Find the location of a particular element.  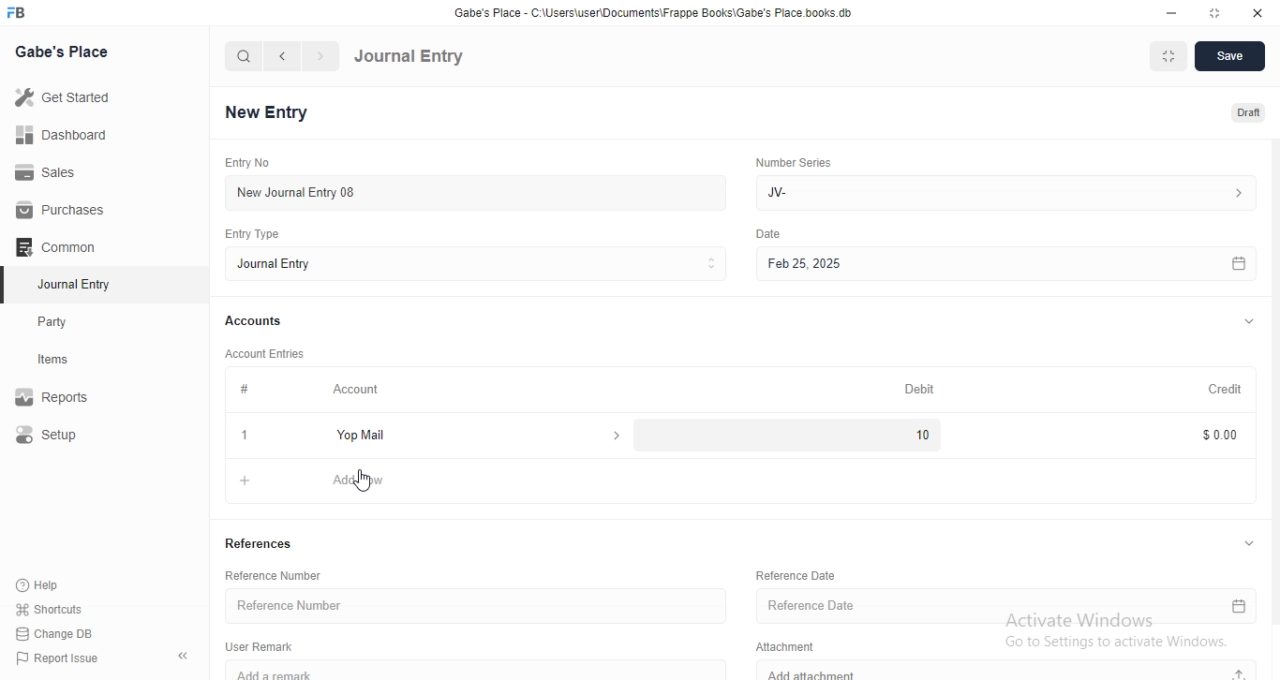

Accounts is located at coordinates (255, 322).